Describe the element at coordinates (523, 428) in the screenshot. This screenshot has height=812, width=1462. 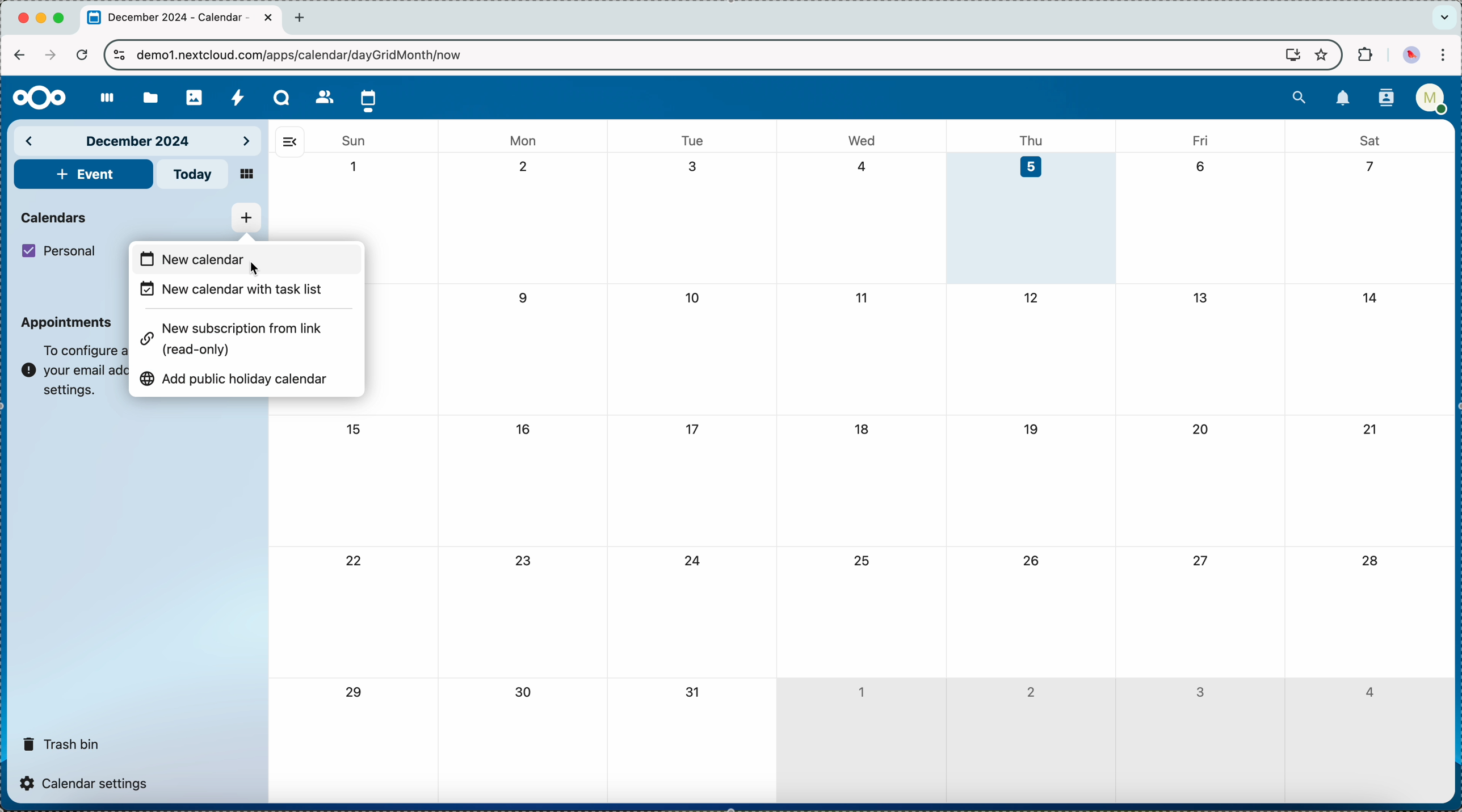
I see `16` at that location.